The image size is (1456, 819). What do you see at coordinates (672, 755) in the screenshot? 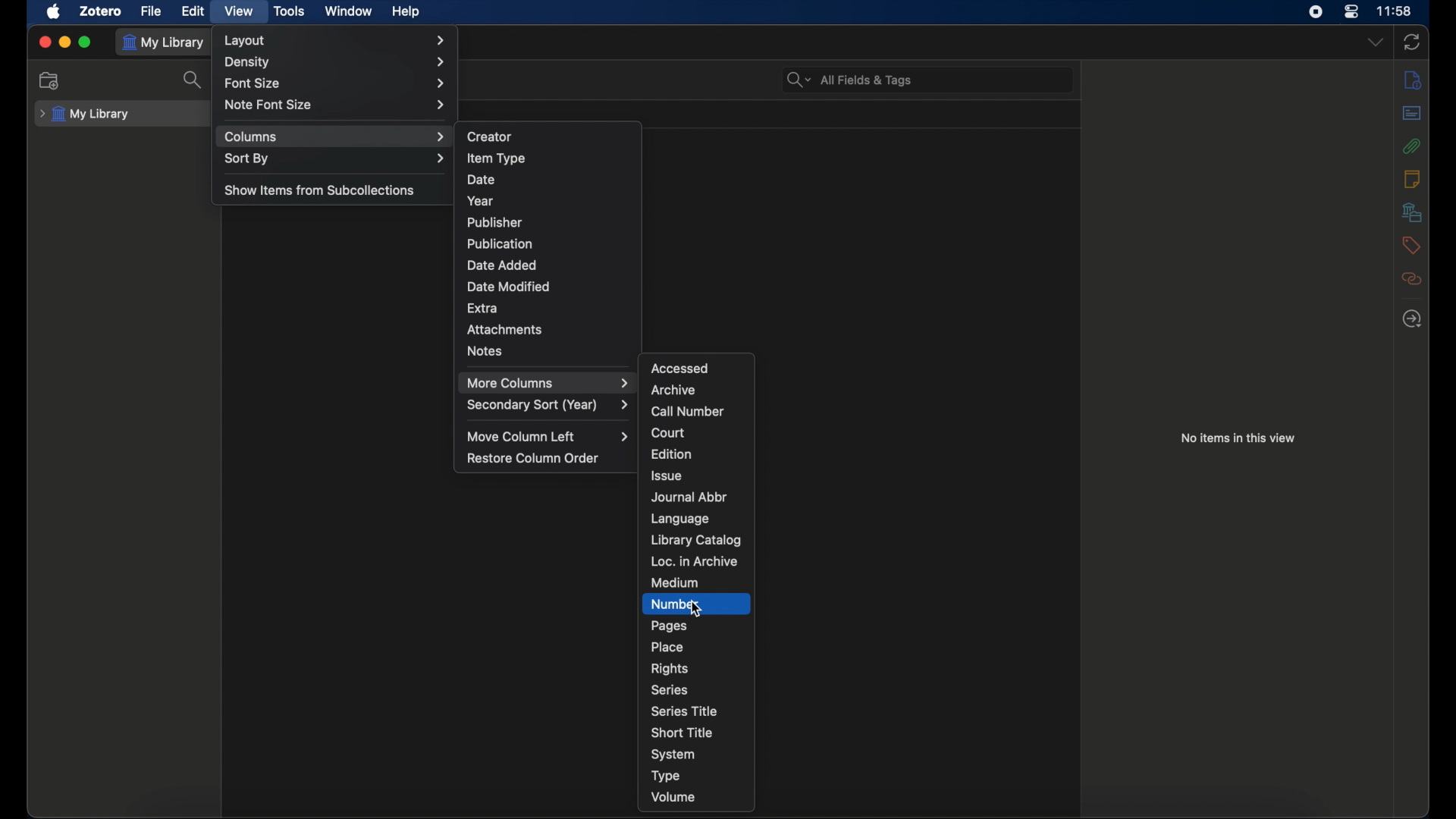
I see `system` at bounding box center [672, 755].